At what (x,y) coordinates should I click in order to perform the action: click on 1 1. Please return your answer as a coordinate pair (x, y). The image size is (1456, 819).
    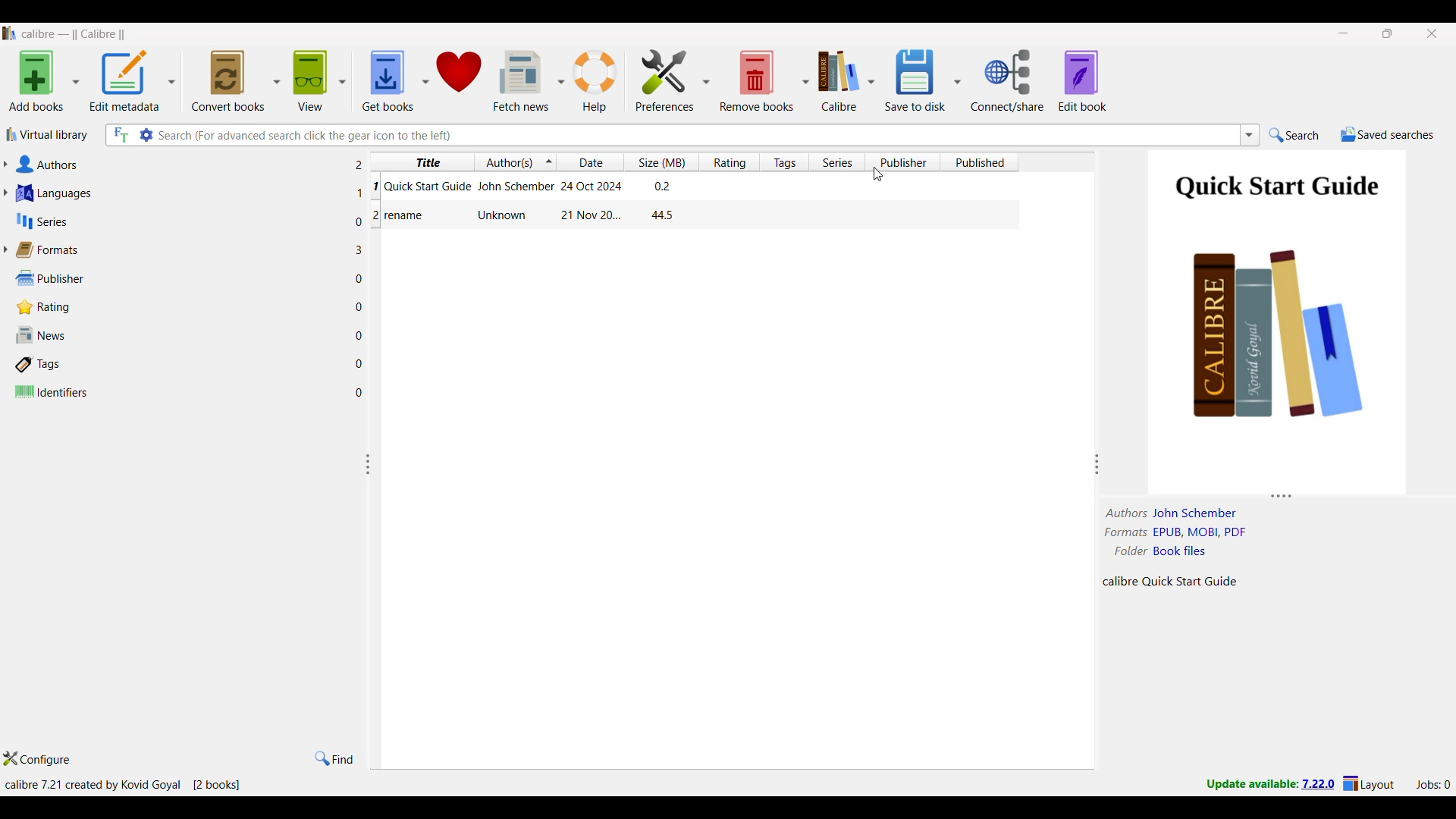
    Looking at the image, I should click on (366, 189).